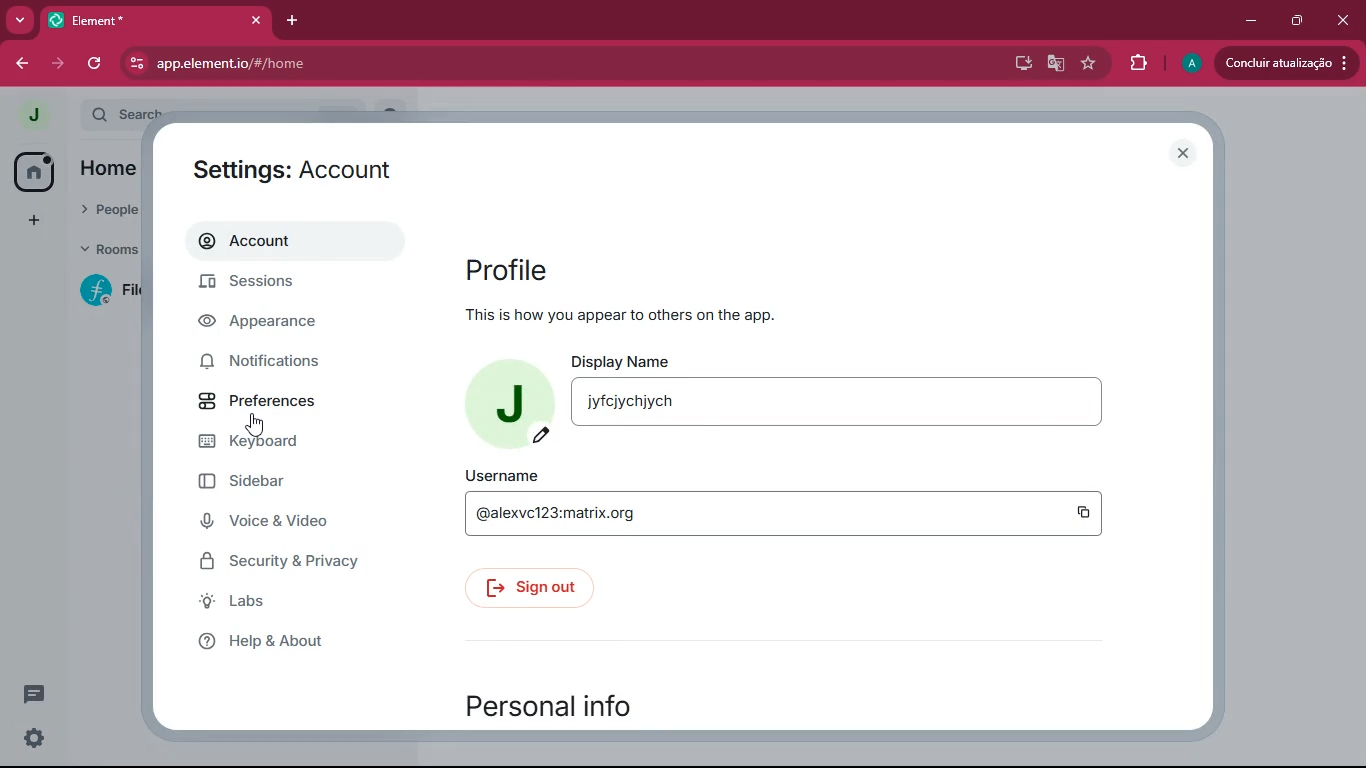  What do you see at coordinates (293, 239) in the screenshot?
I see `account` at bounding box center [293, 239].